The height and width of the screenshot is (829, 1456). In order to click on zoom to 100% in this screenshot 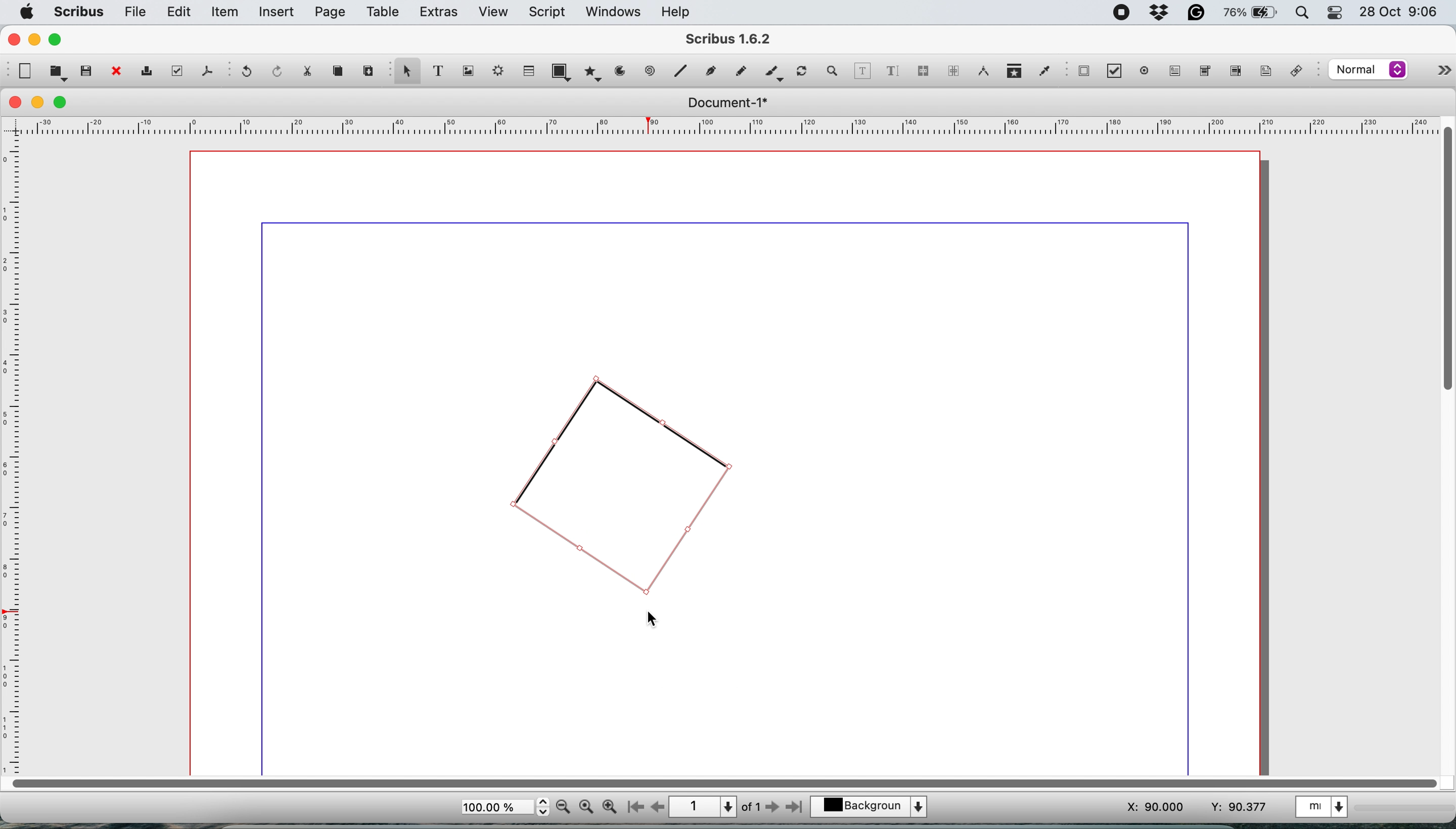, I will do `click(586, 808)`.